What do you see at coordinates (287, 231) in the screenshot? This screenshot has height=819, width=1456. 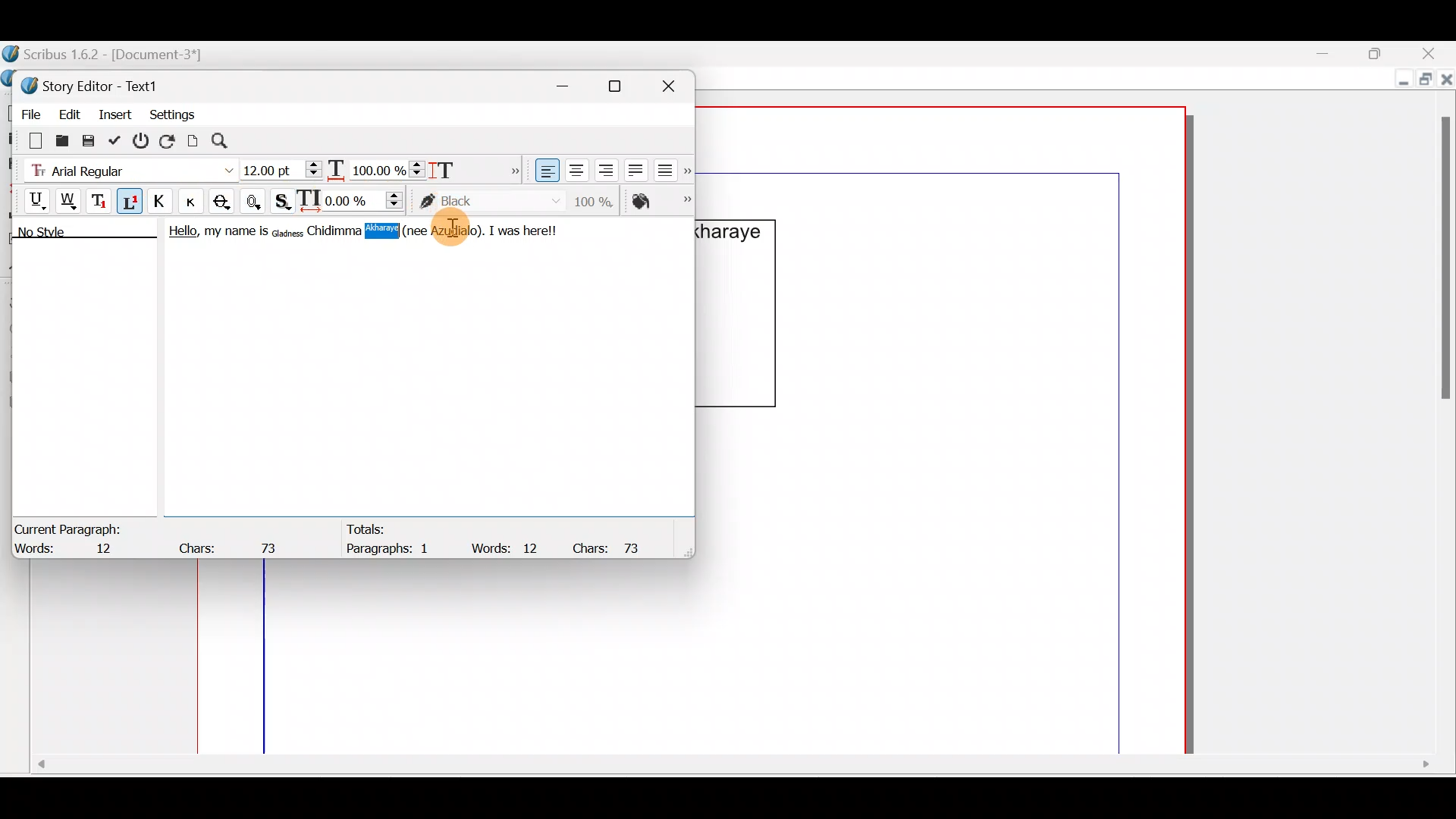 I see `Gladness` at bounding box center [287, 231].